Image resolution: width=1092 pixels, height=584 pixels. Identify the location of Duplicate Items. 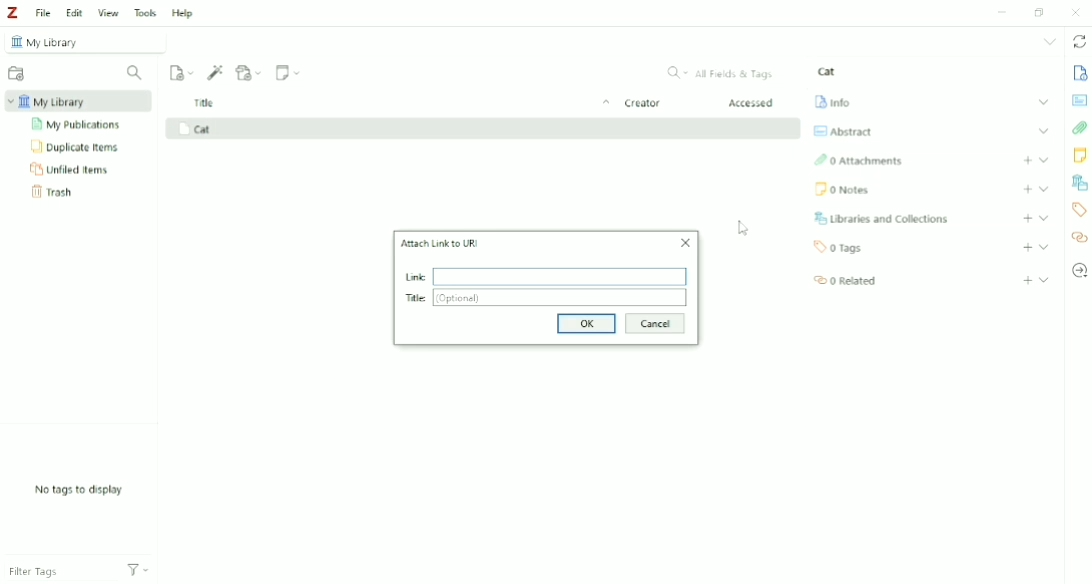
(76, 146).